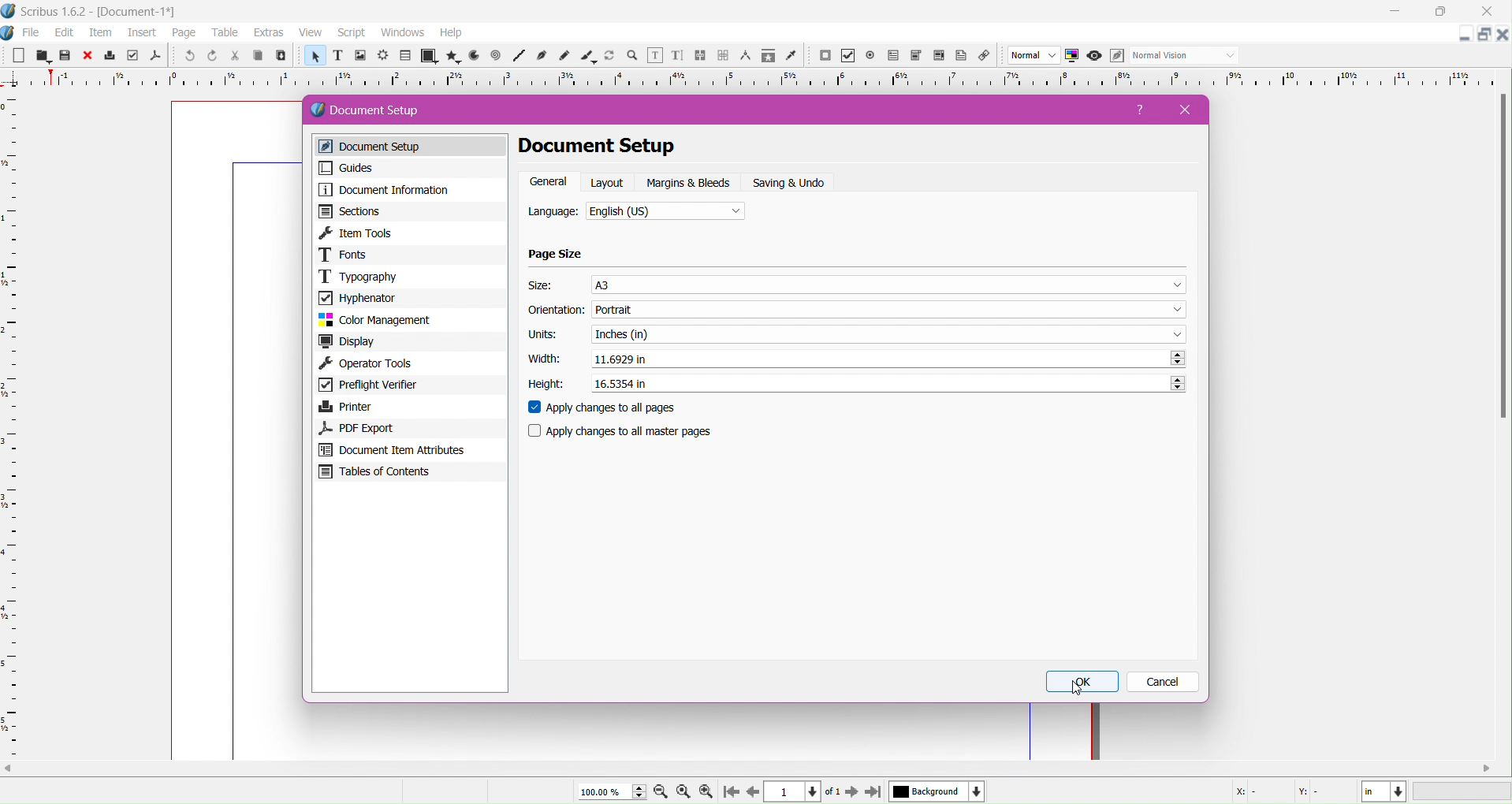 The image size is (1512, 804). Describe the element at coordinates (1142, 113) in the screenshot. I see `Help` at that location.